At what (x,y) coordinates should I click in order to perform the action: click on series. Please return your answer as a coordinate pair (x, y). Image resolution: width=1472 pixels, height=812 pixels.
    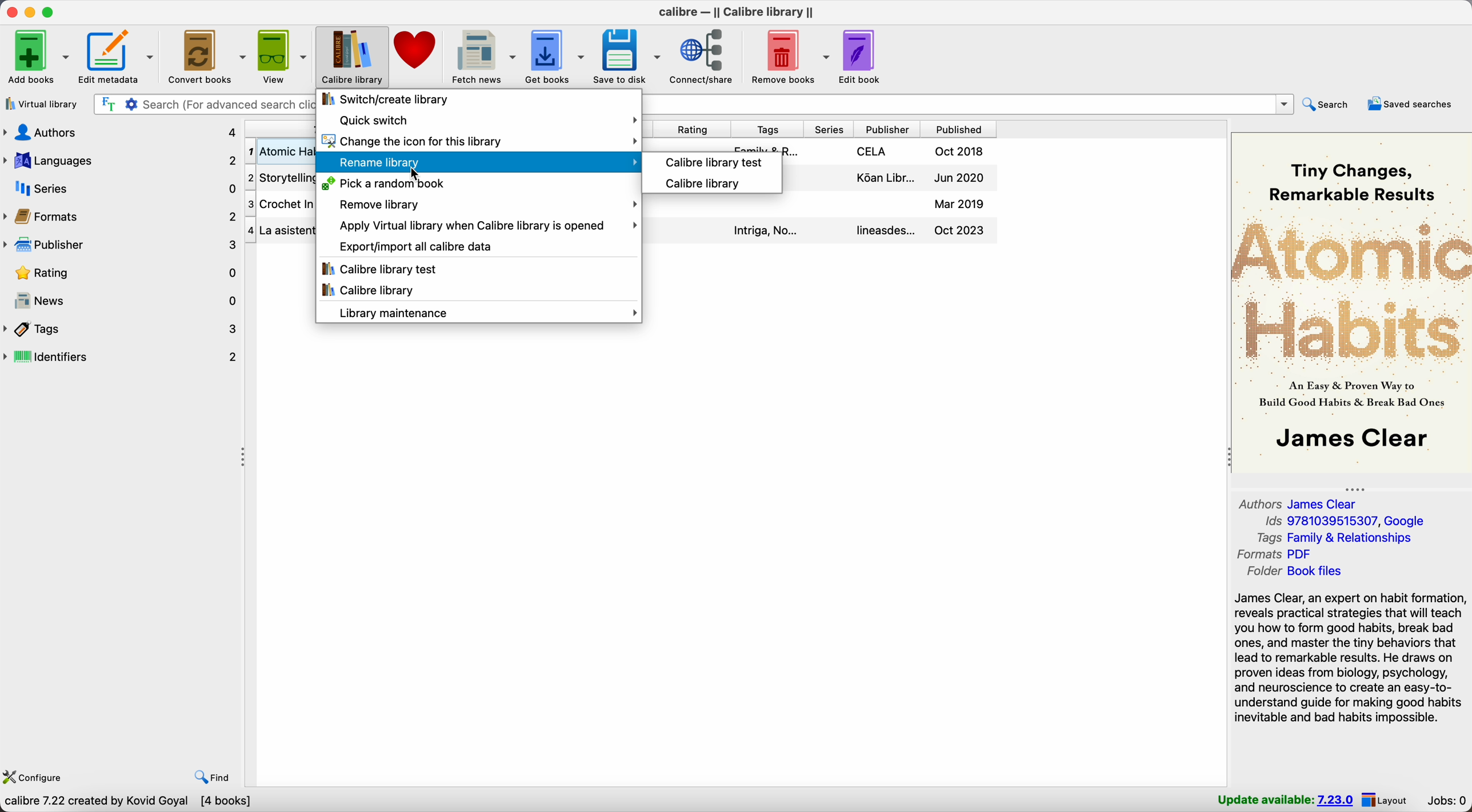
    Looking at the image, I should click on (829, 130).